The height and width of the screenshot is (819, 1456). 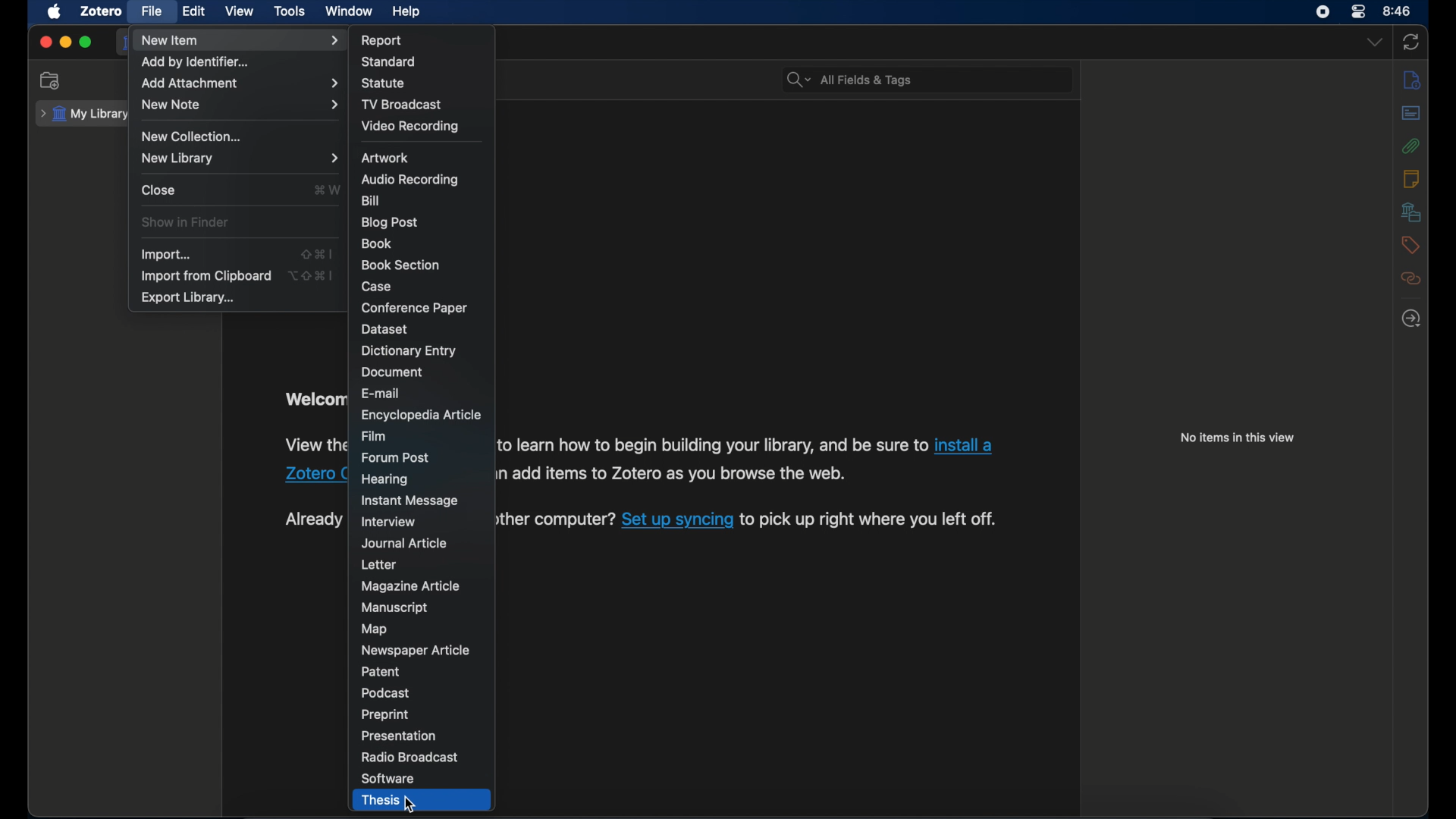 What do you see at coordinates (1410, 146) in the screenshot?
I see `attachments` at bounding box center [1410, 146].